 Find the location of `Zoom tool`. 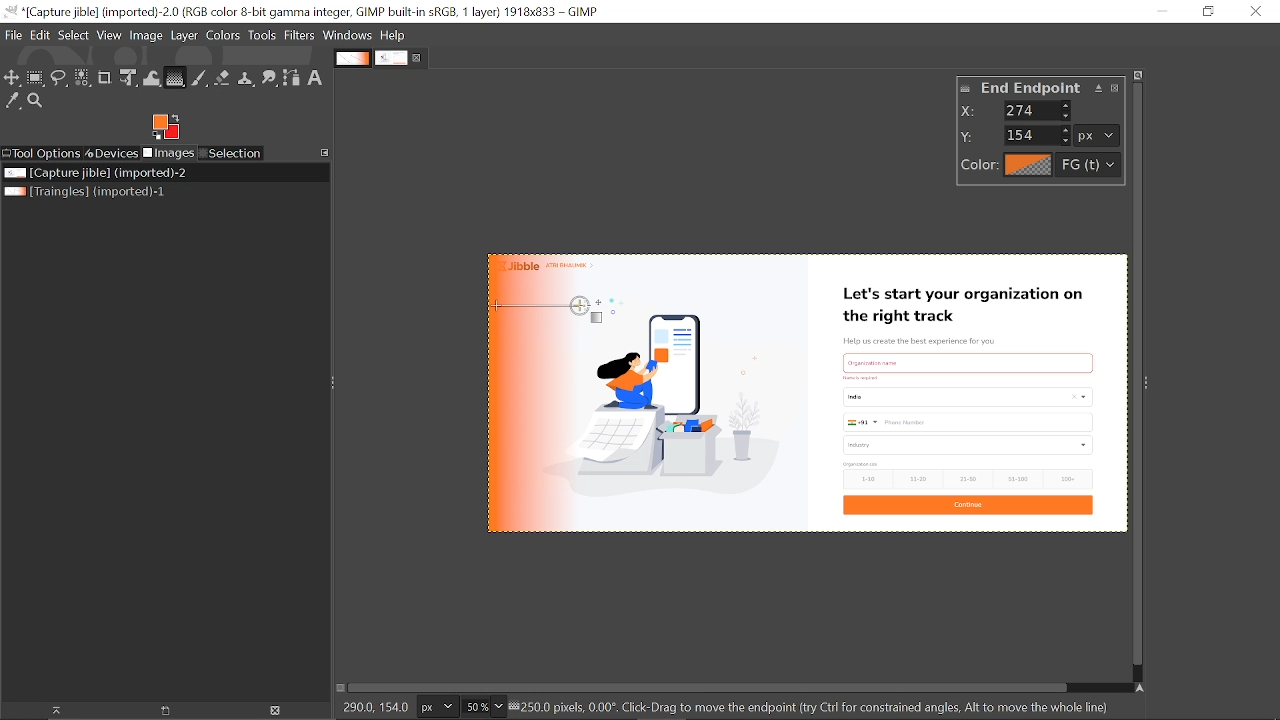

Zoom tool is located at coordinates (35, 100).